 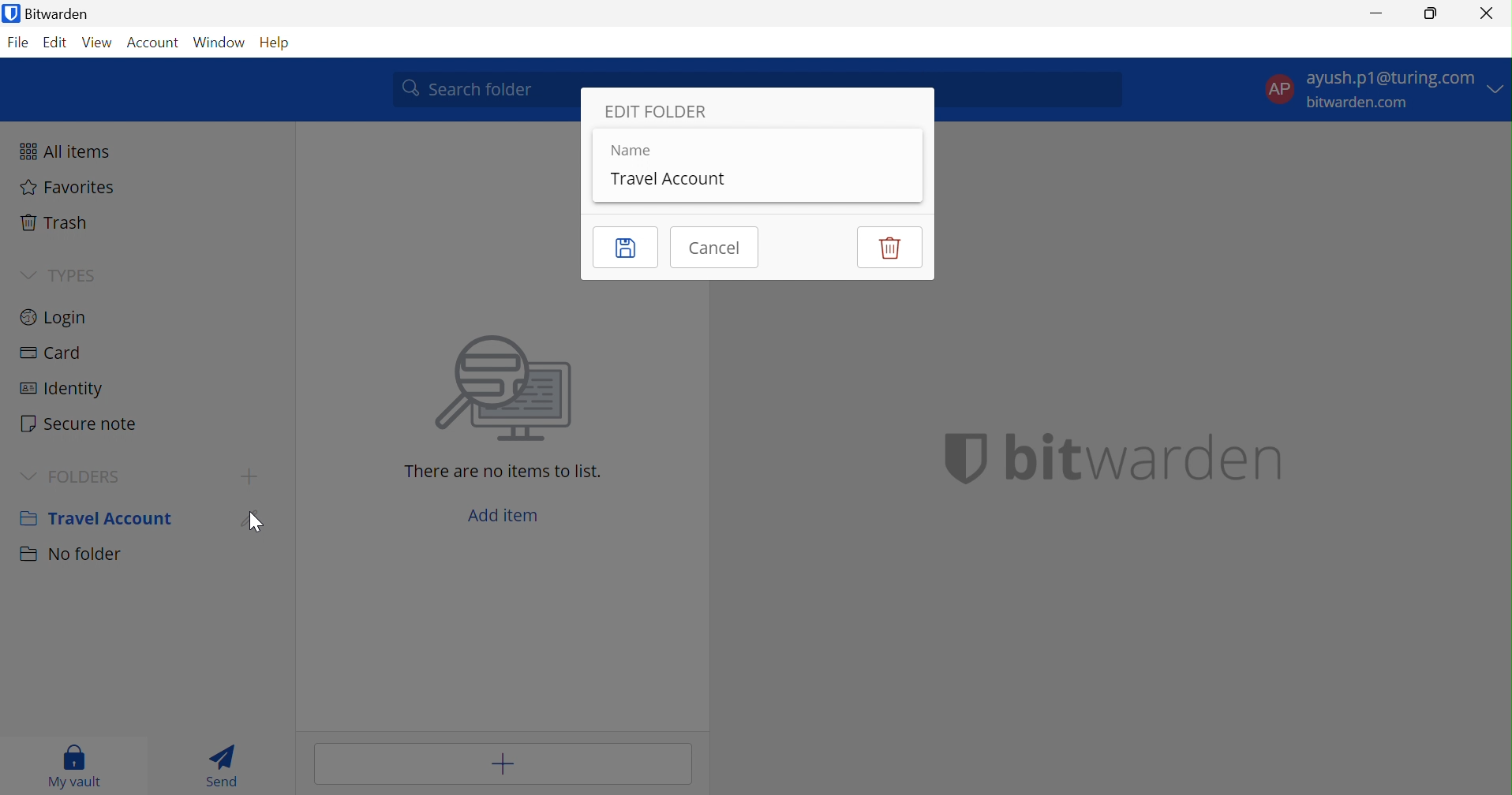 What do you see at coordinates (78, 768) in the screenshot?
I see `My Vault` at bounding box center [78, 768].